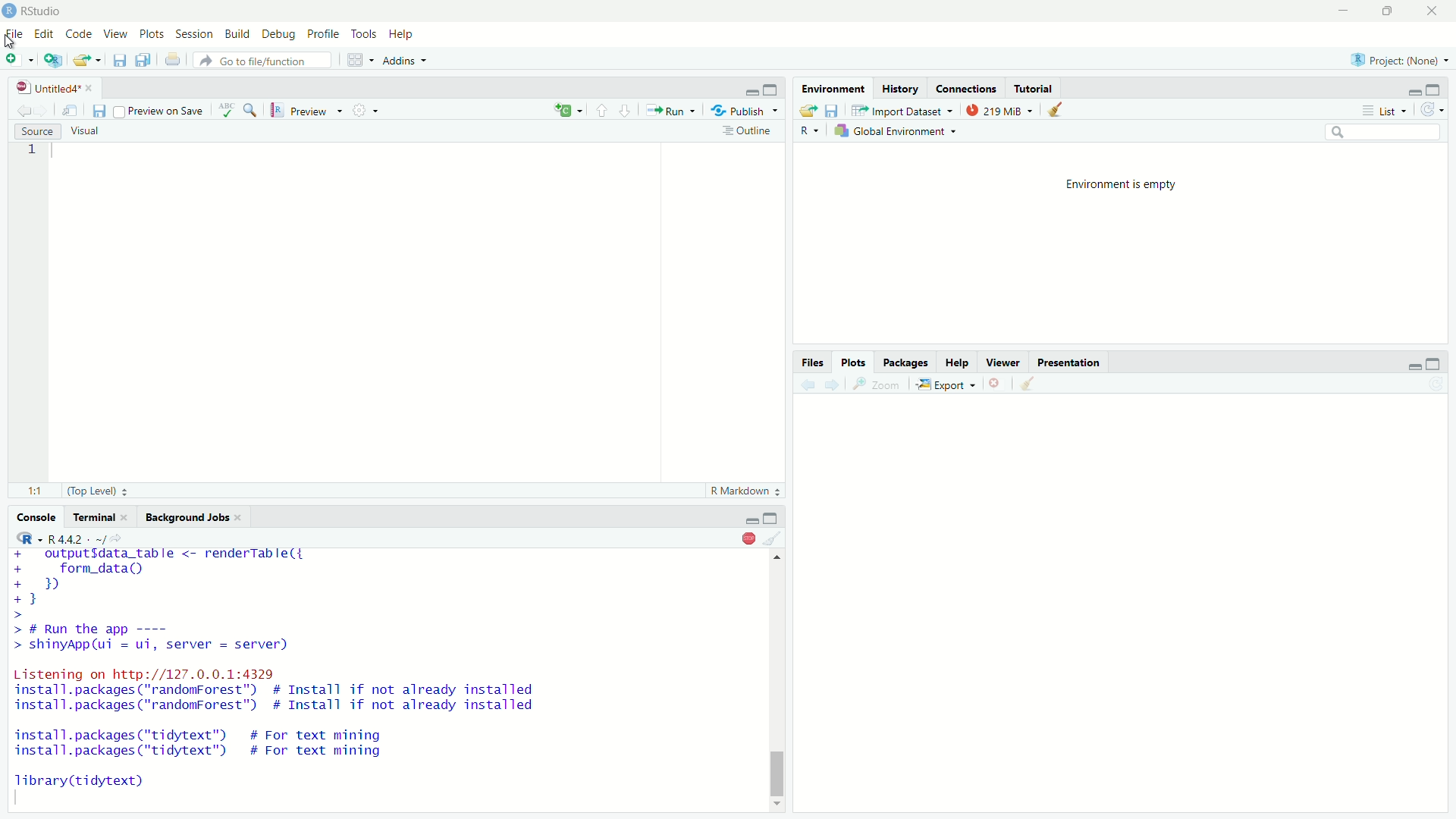 This screenshot has height=819, width=1456. What do you see at coordinates (1430, 11) in the screenshot?
I see `Close` at bounding box center [1430, 11].